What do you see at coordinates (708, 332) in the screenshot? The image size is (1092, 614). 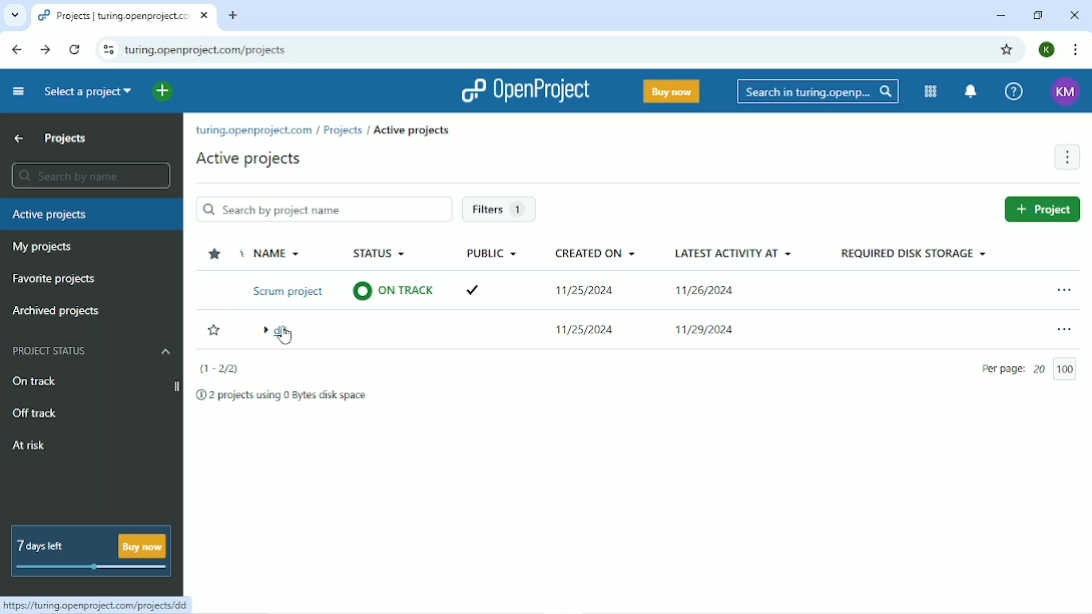 I see `11/29/2024` at bounding box center [708, 332].